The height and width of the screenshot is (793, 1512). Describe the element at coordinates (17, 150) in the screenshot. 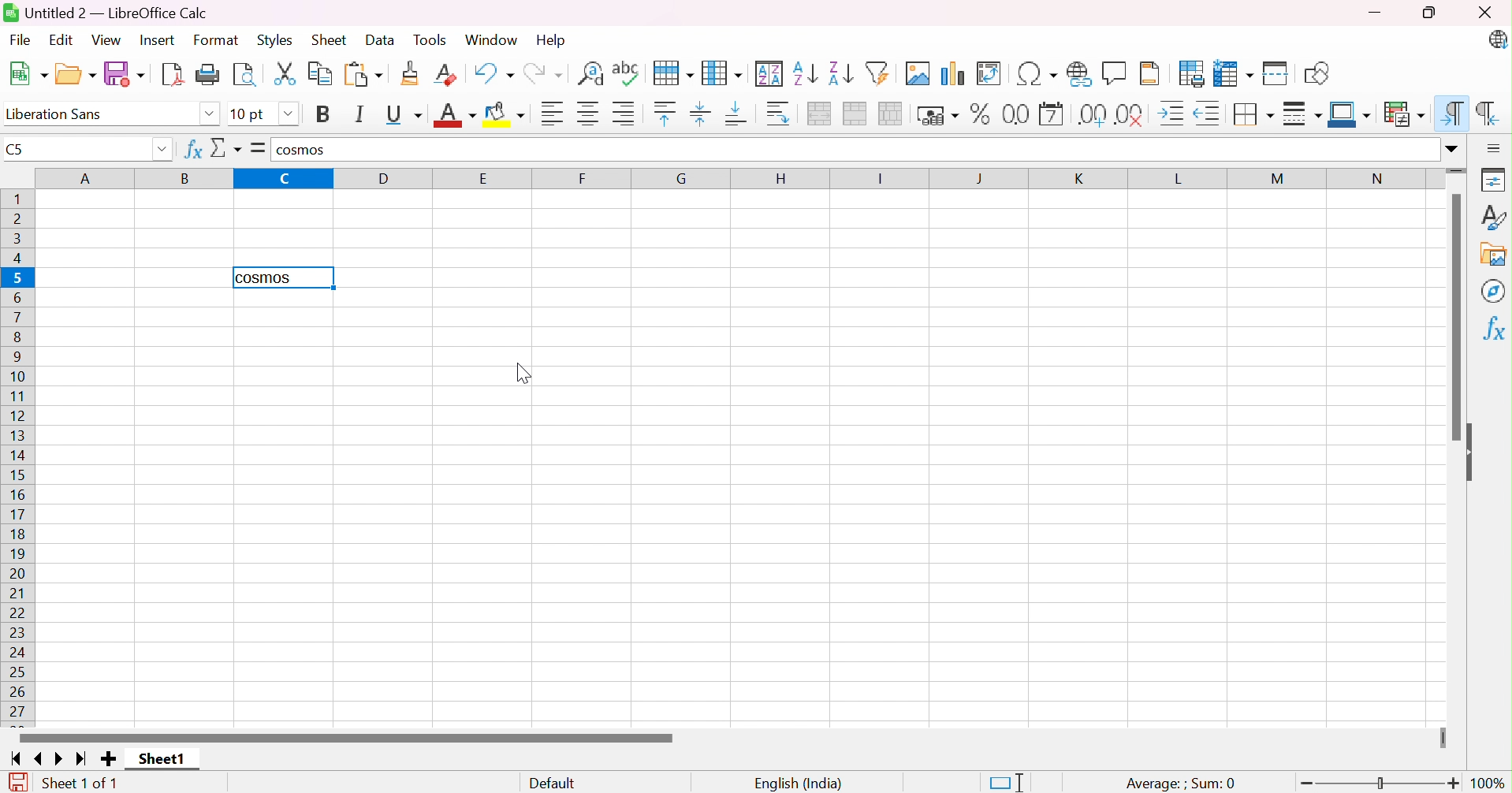

I see `C5` at that location.